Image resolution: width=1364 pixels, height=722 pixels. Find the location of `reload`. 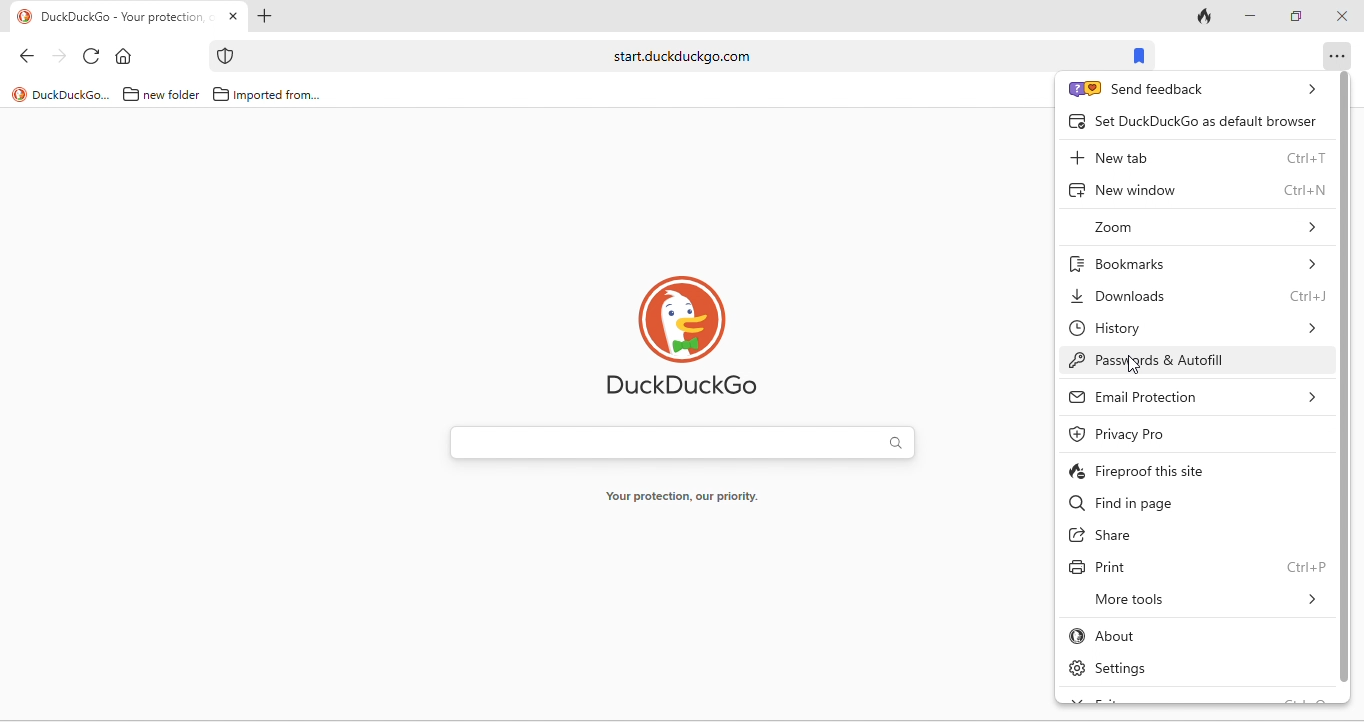

reload is located at coordinates (93, 56).